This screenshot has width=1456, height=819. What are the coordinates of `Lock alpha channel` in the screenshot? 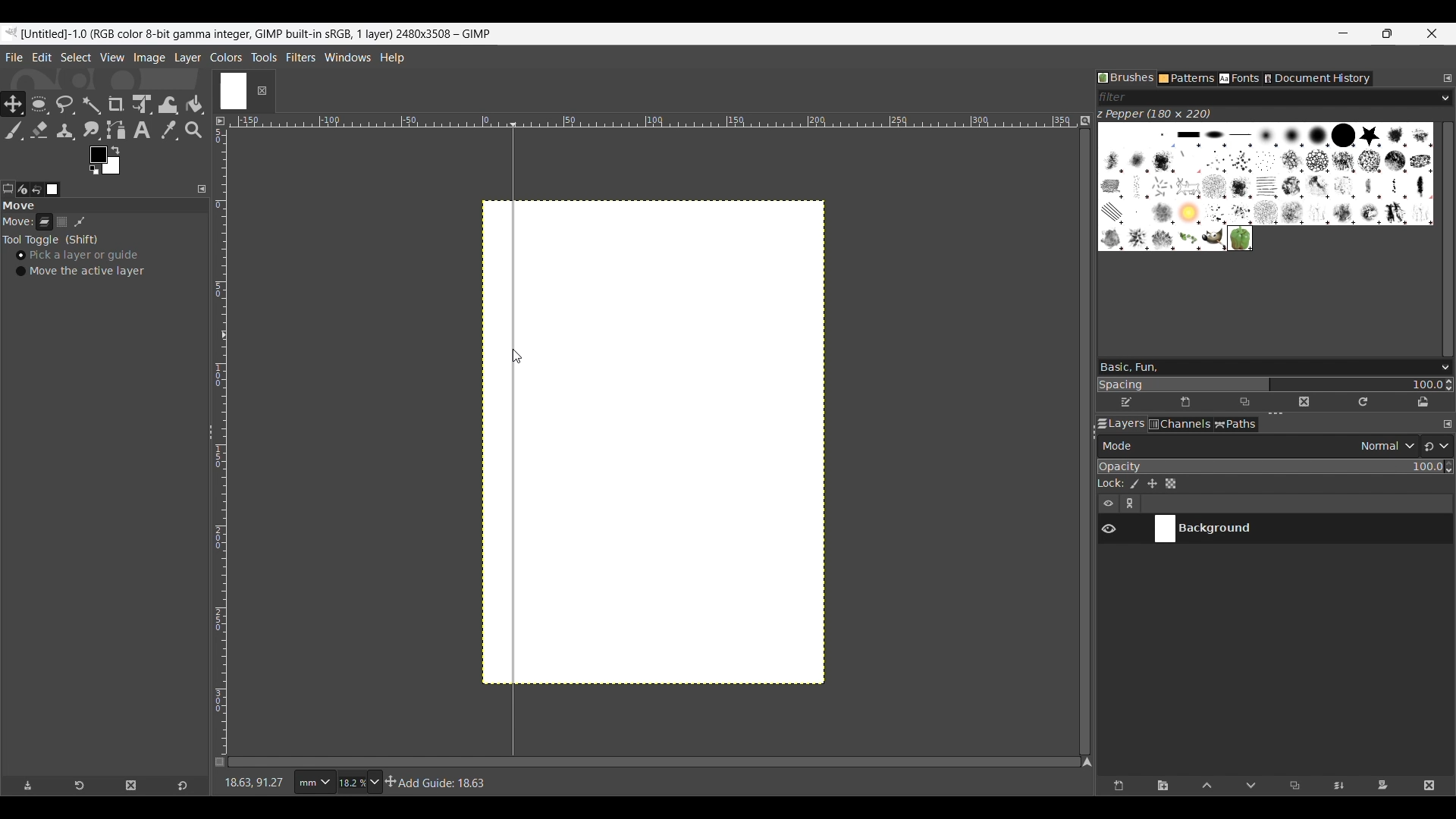 It's located at (1170, 484).